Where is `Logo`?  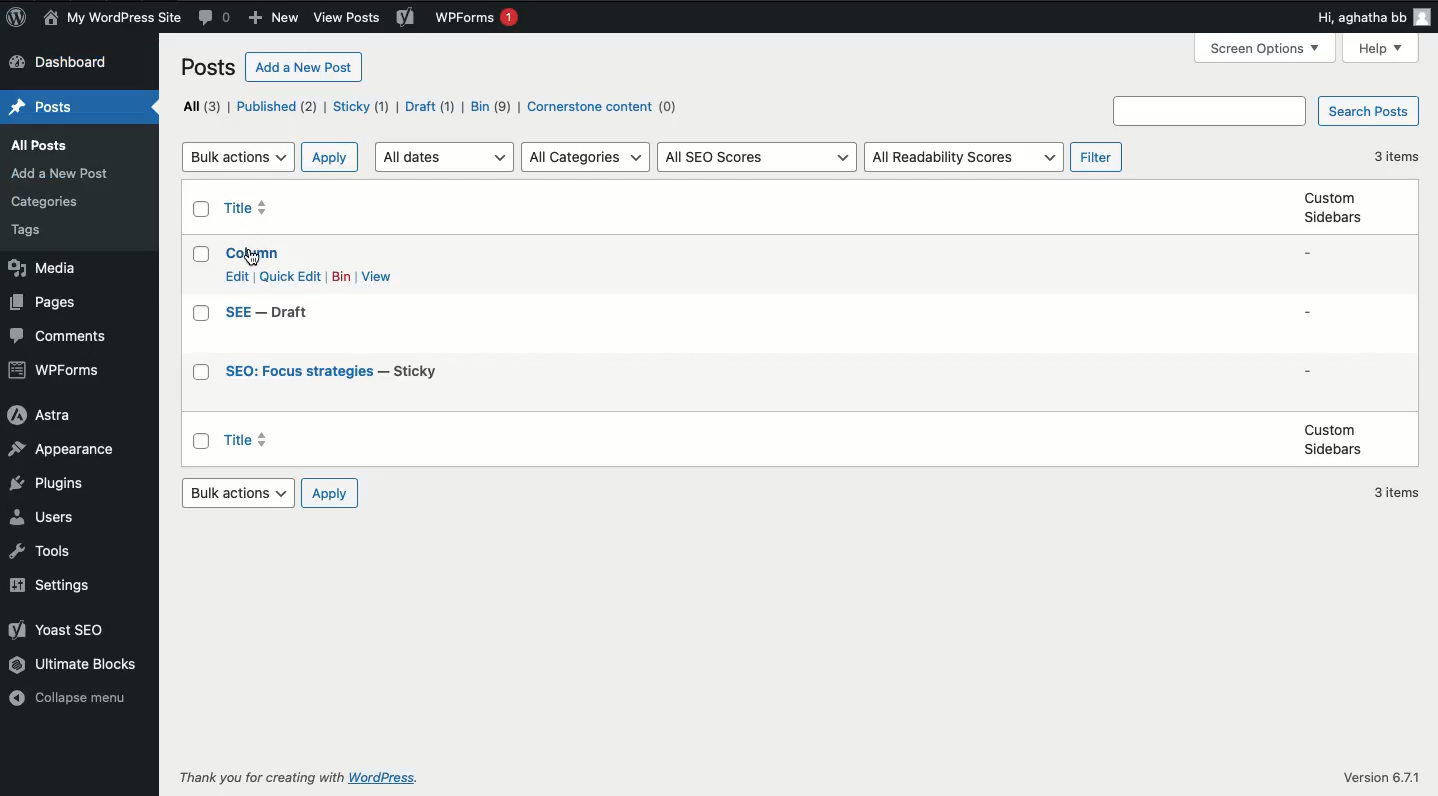 Logo is located at coordinates (17, 18).